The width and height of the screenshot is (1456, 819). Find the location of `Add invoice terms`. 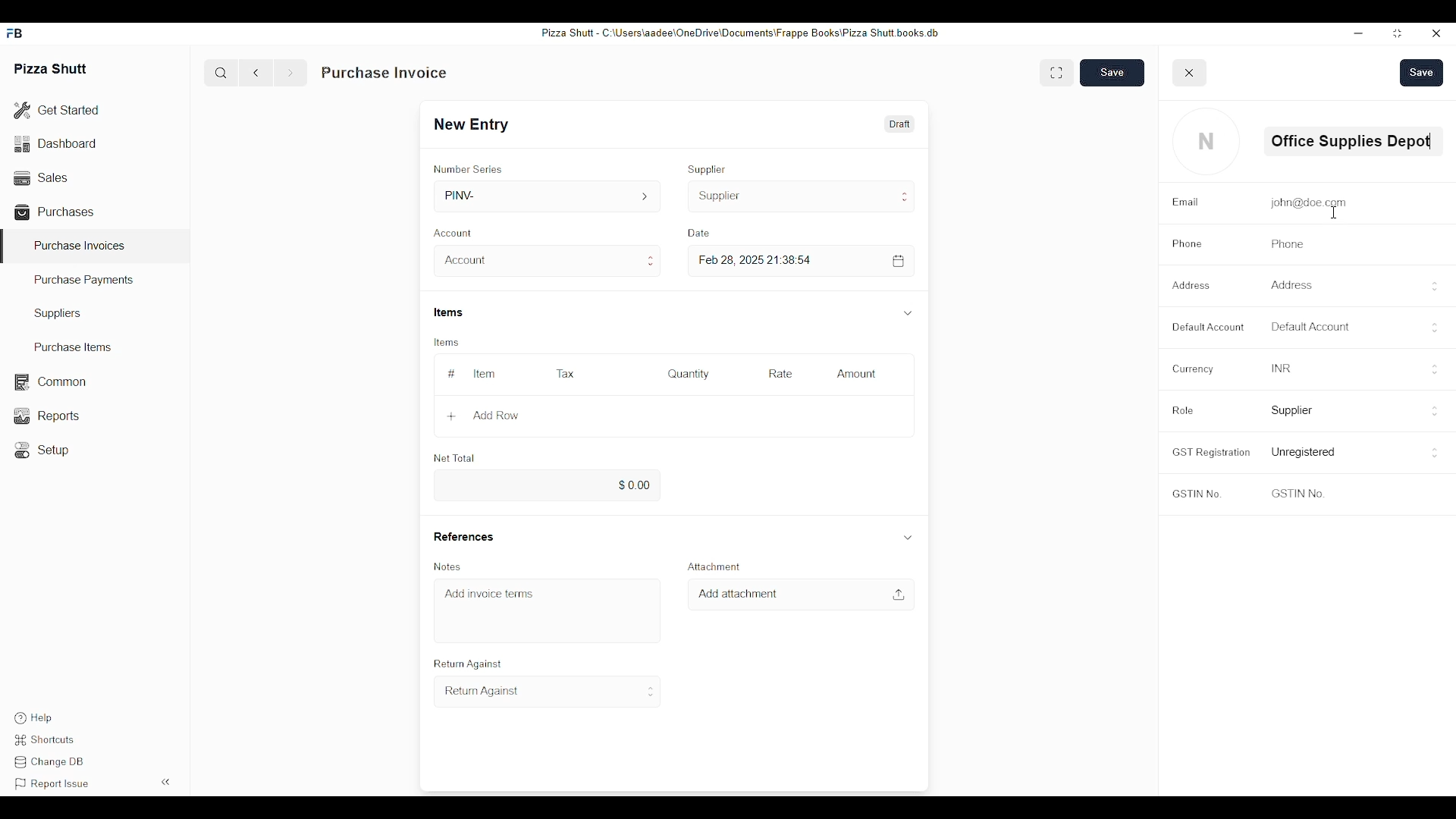

Add invoice terms is located at coordinates (490, 593).